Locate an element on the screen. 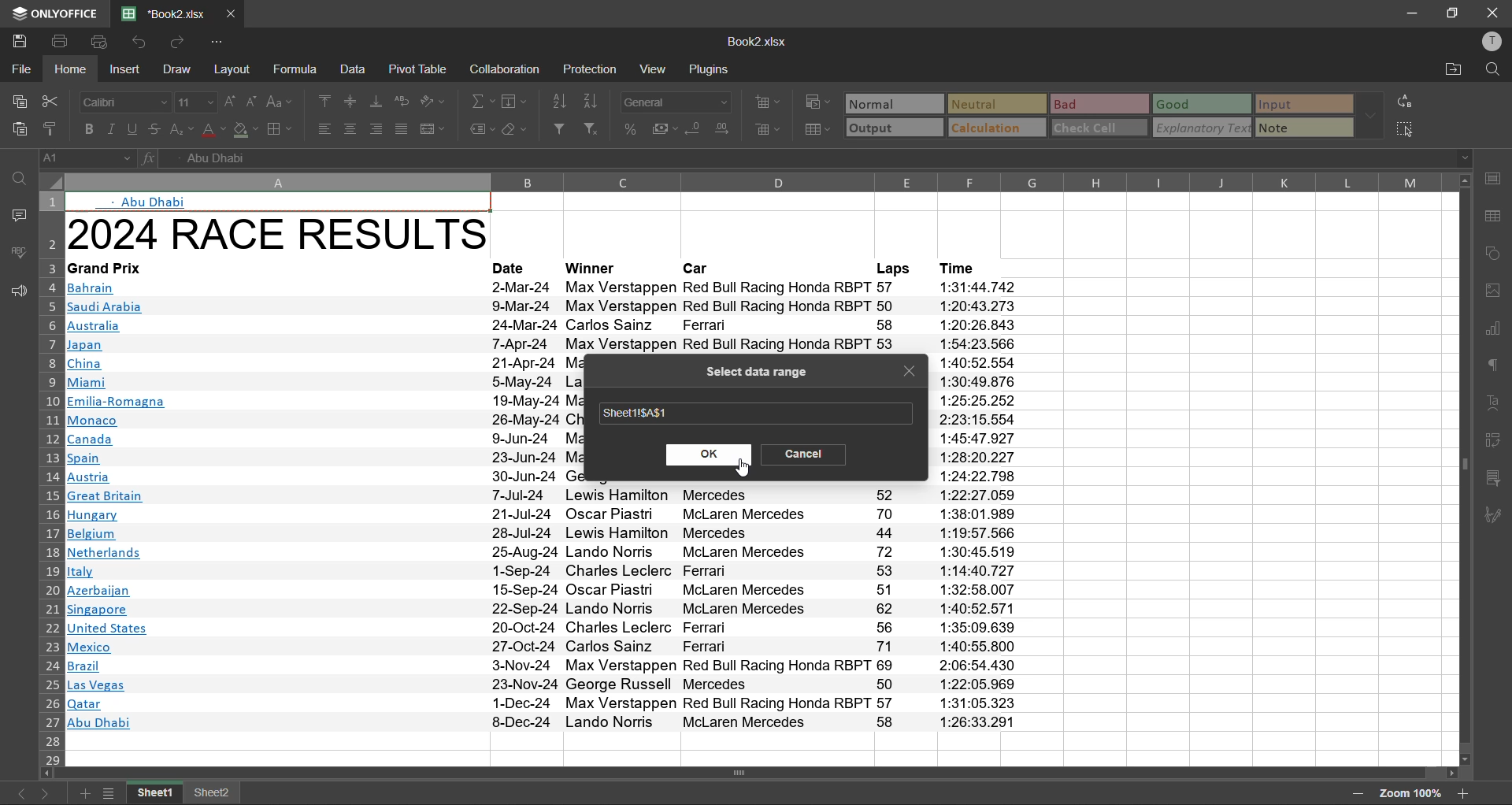  decrement size is located at coordinates (250, 99).